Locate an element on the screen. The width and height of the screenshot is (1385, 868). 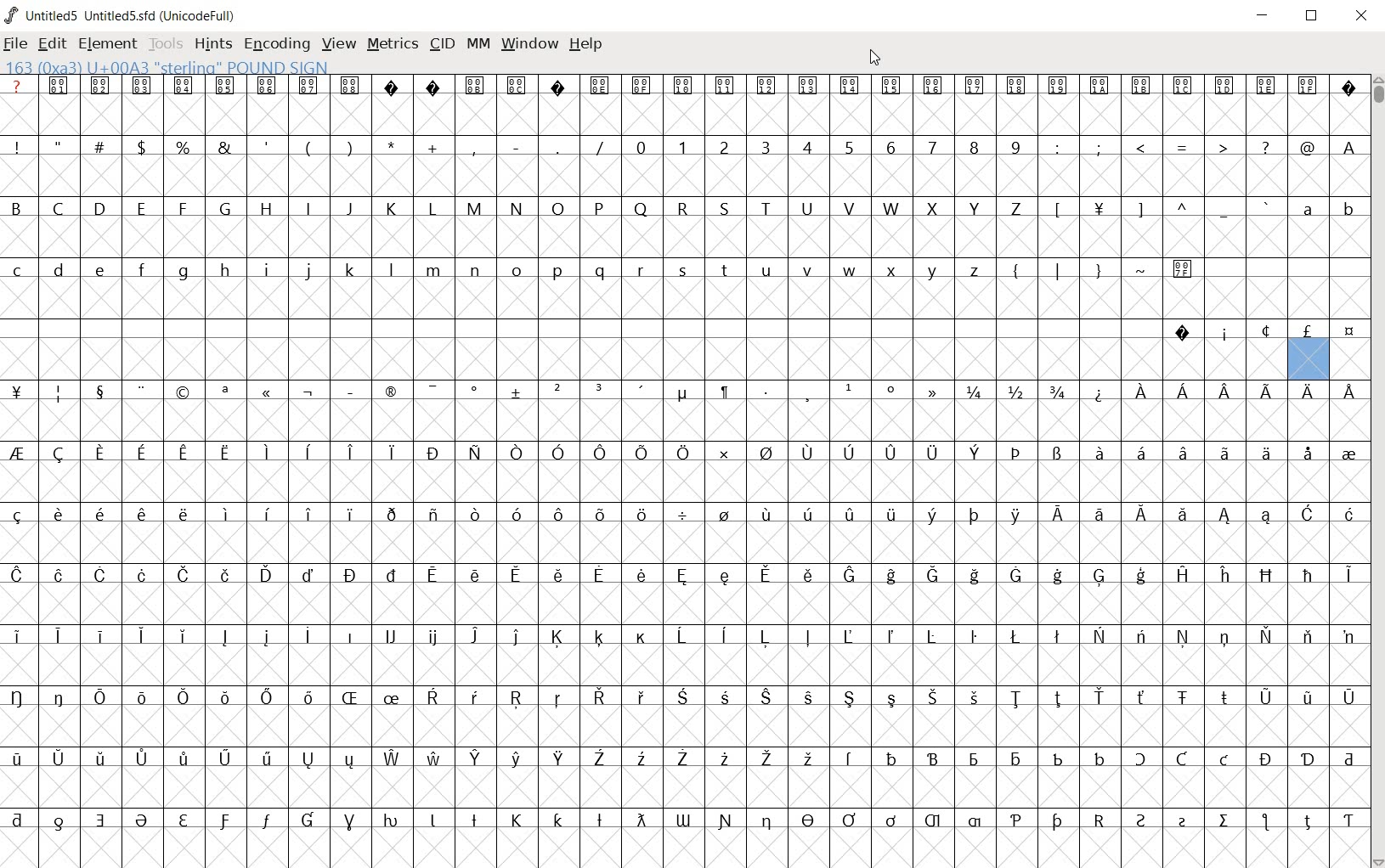
Symbol is located at coordinates (1265, 454).